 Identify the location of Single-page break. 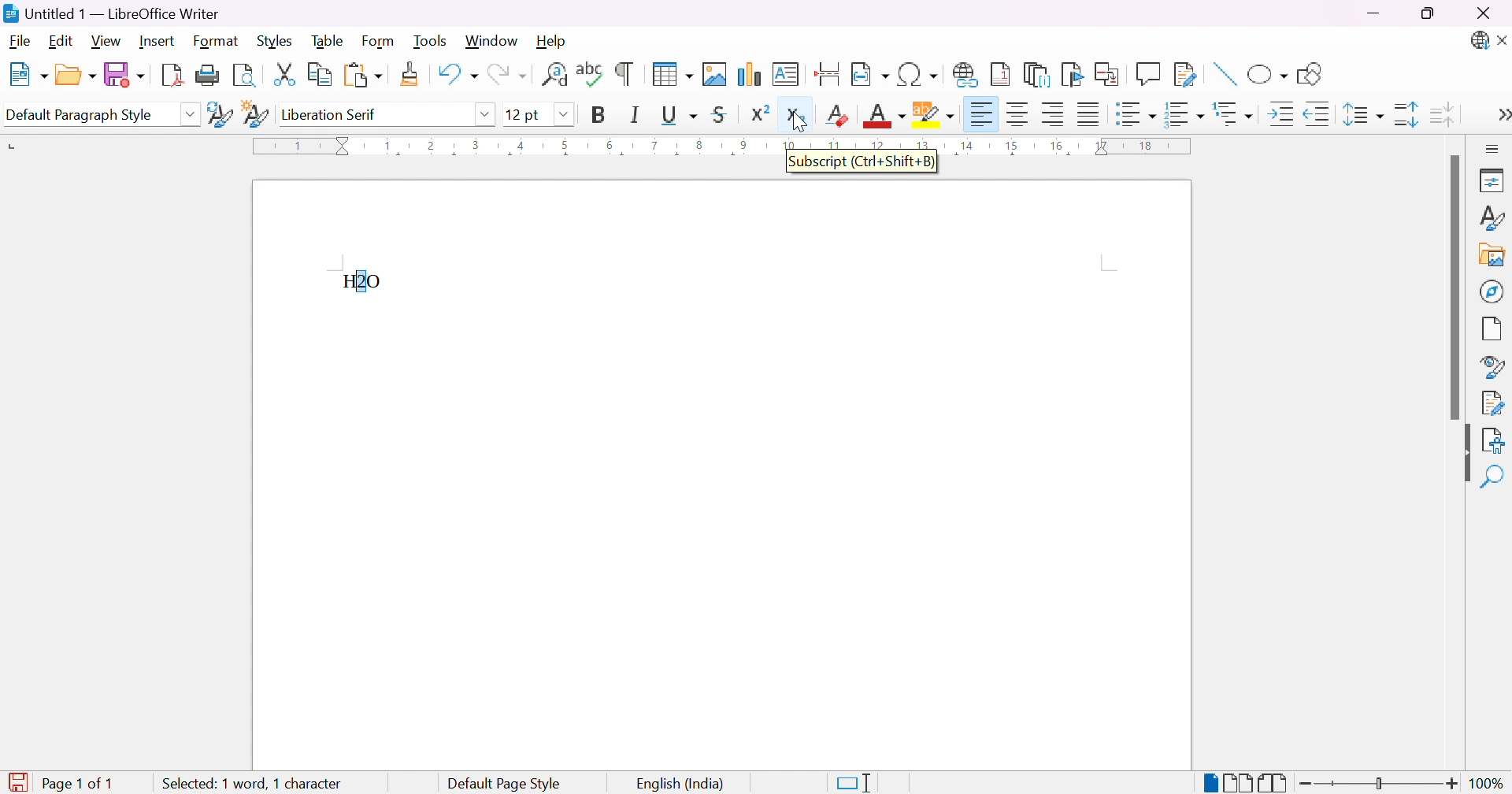
(1209, 784).